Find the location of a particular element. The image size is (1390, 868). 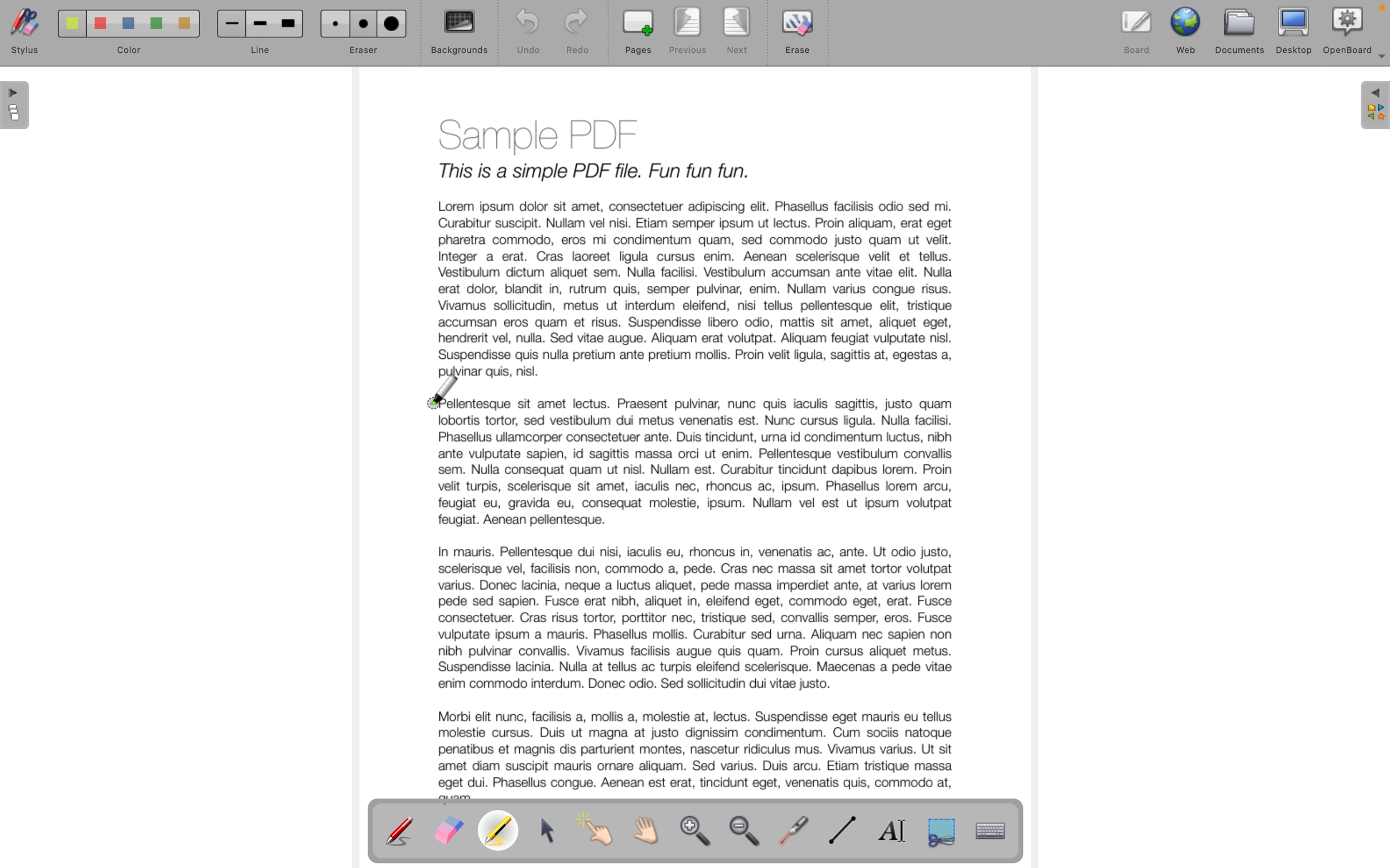

color is located at coordinates (123, 36).